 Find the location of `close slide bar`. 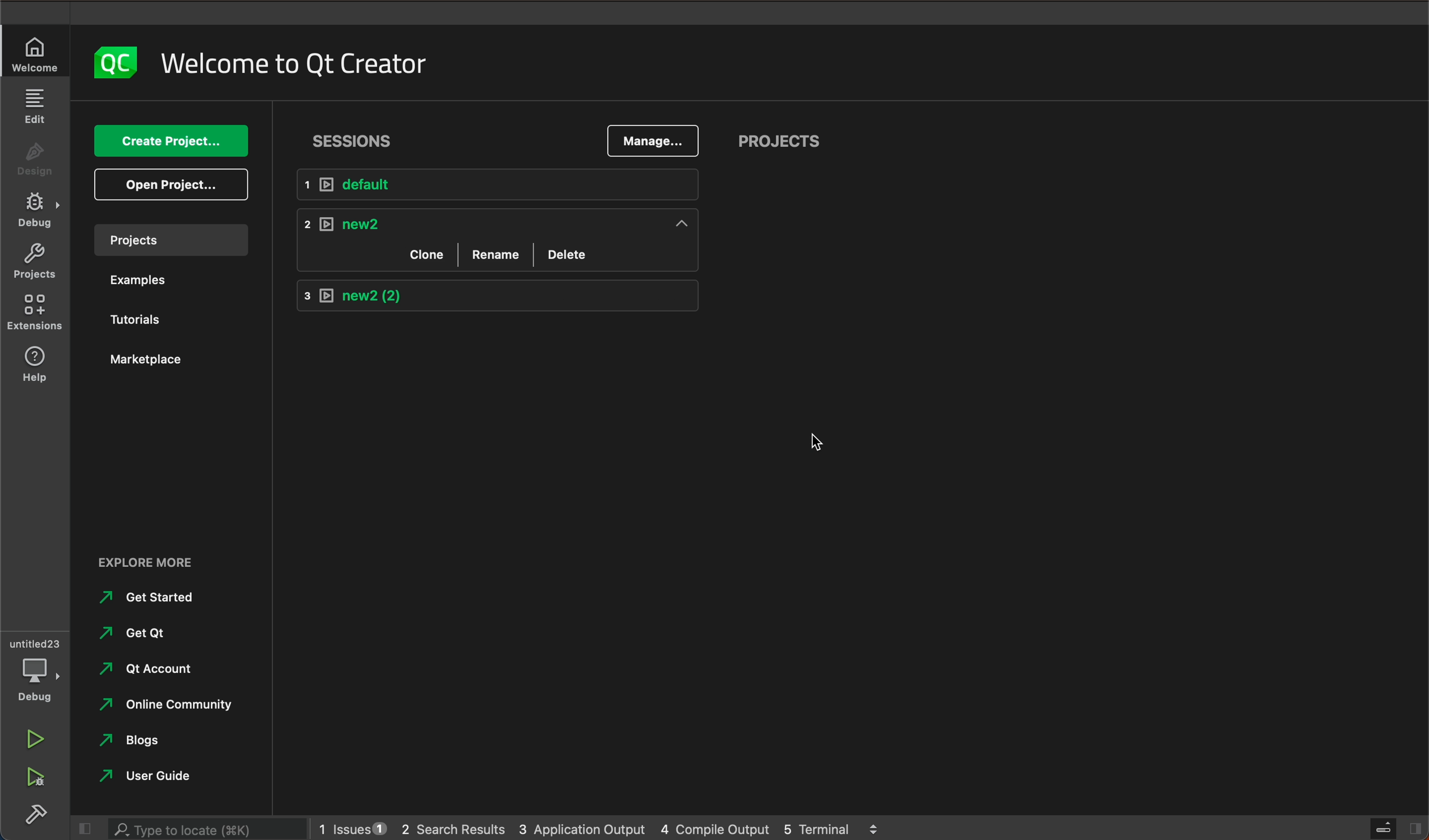

close slide bar is located at coordinates (1388, 828).